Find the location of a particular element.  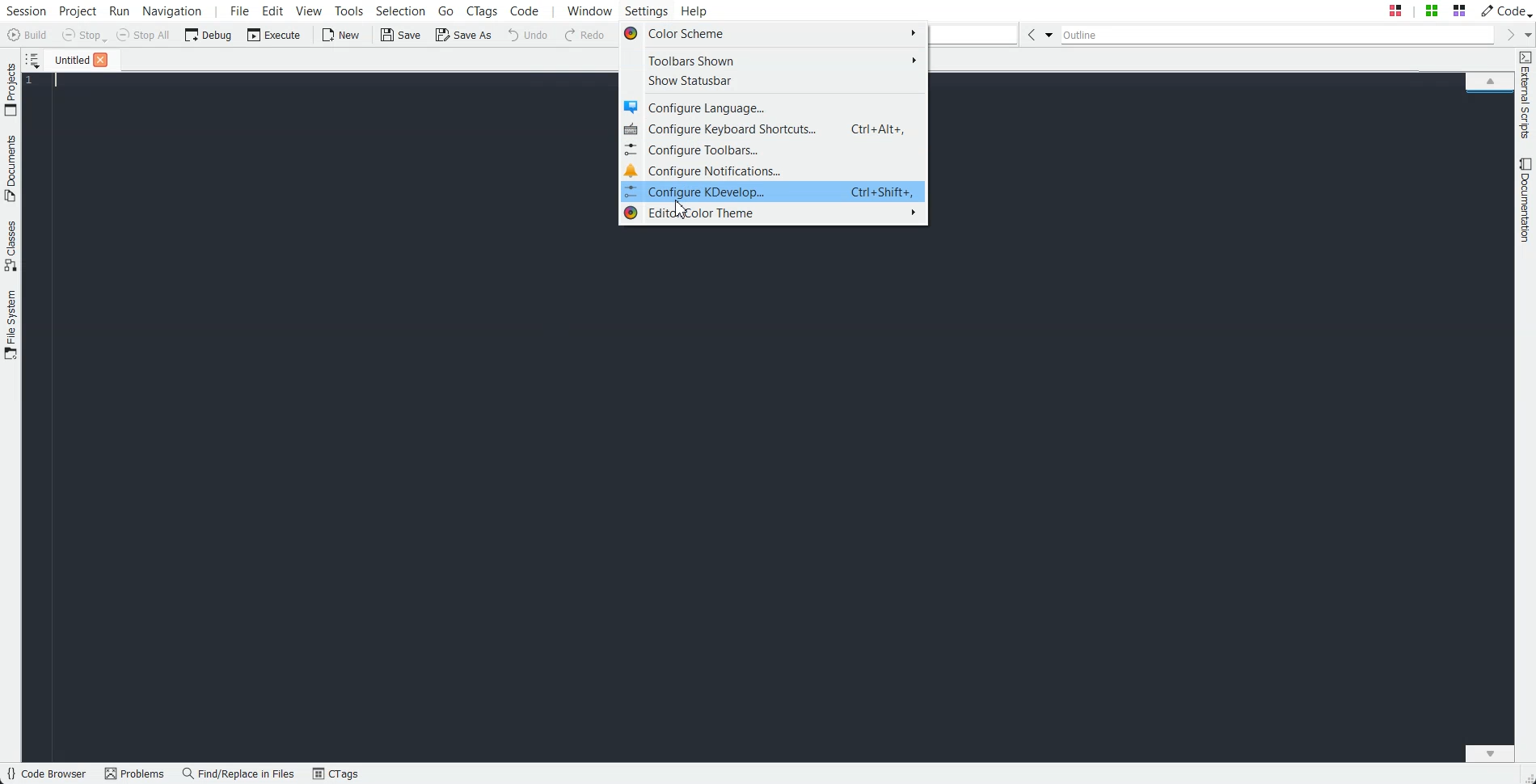

Text Cursor is located at coordinates (58, 81).